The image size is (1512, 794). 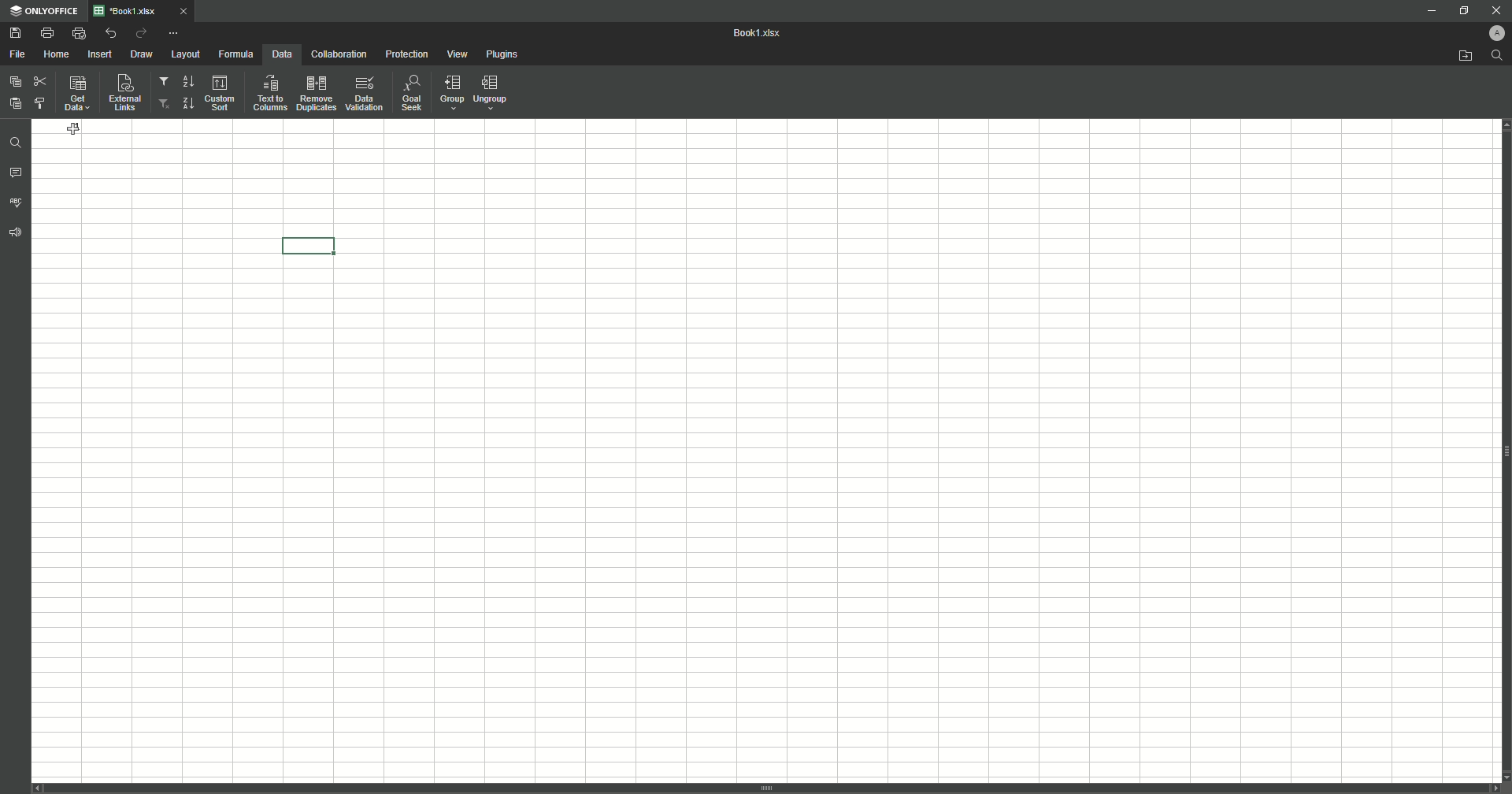 What do you see at coordinates (100, 54) in the screenshot?
I see `Insert` at bounding box center [100, 54].